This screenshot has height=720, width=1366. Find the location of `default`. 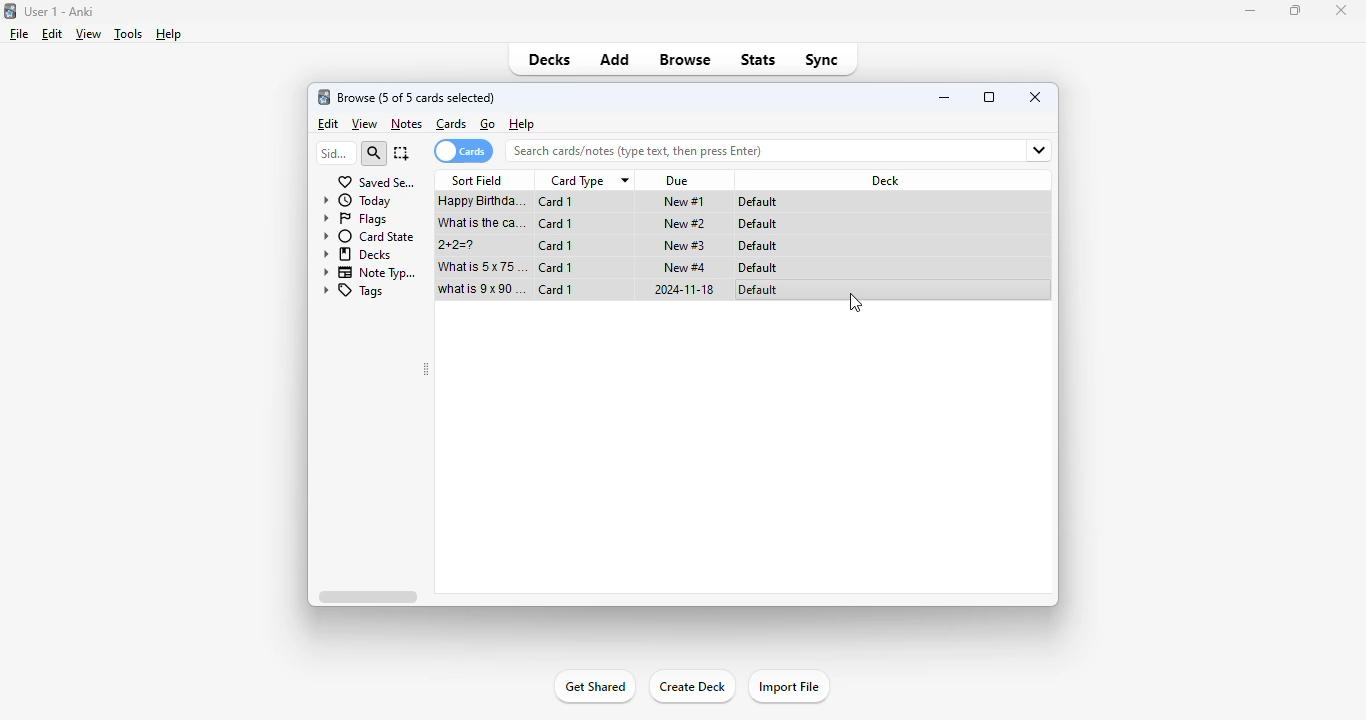

default is located at coordinates (760, 202).